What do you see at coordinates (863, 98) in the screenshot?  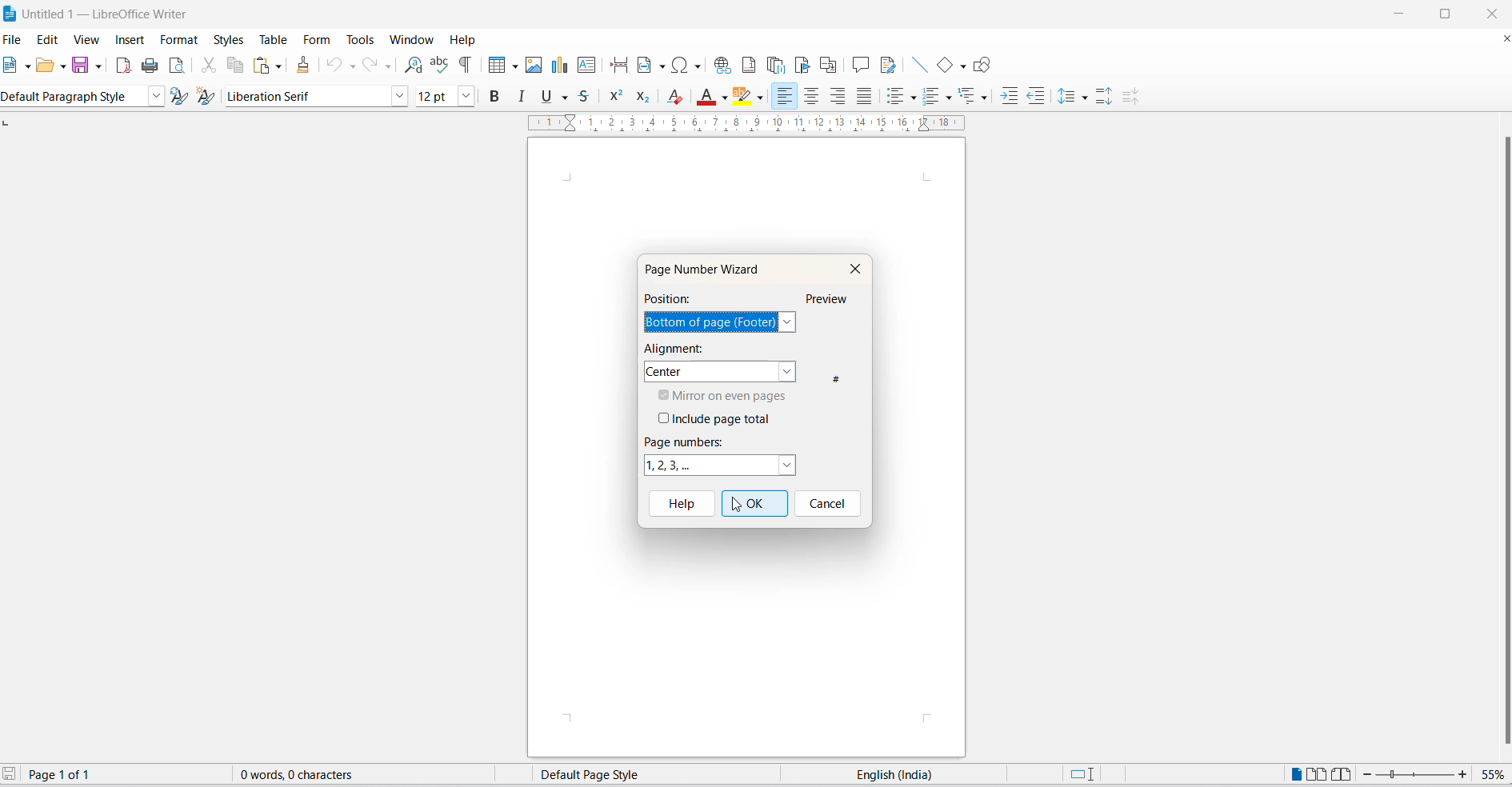 I see `justified` at bounding box center [863, 98].